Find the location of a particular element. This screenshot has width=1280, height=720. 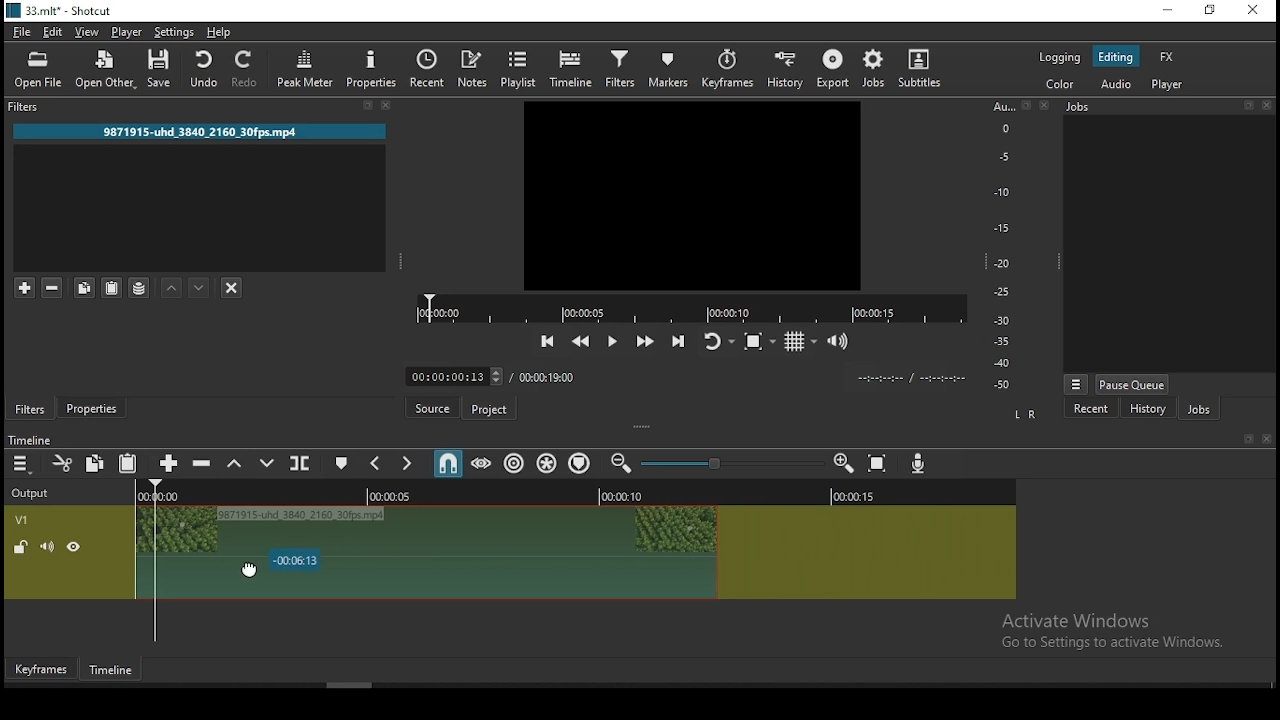

ripple is located at coordinates (516, 464).